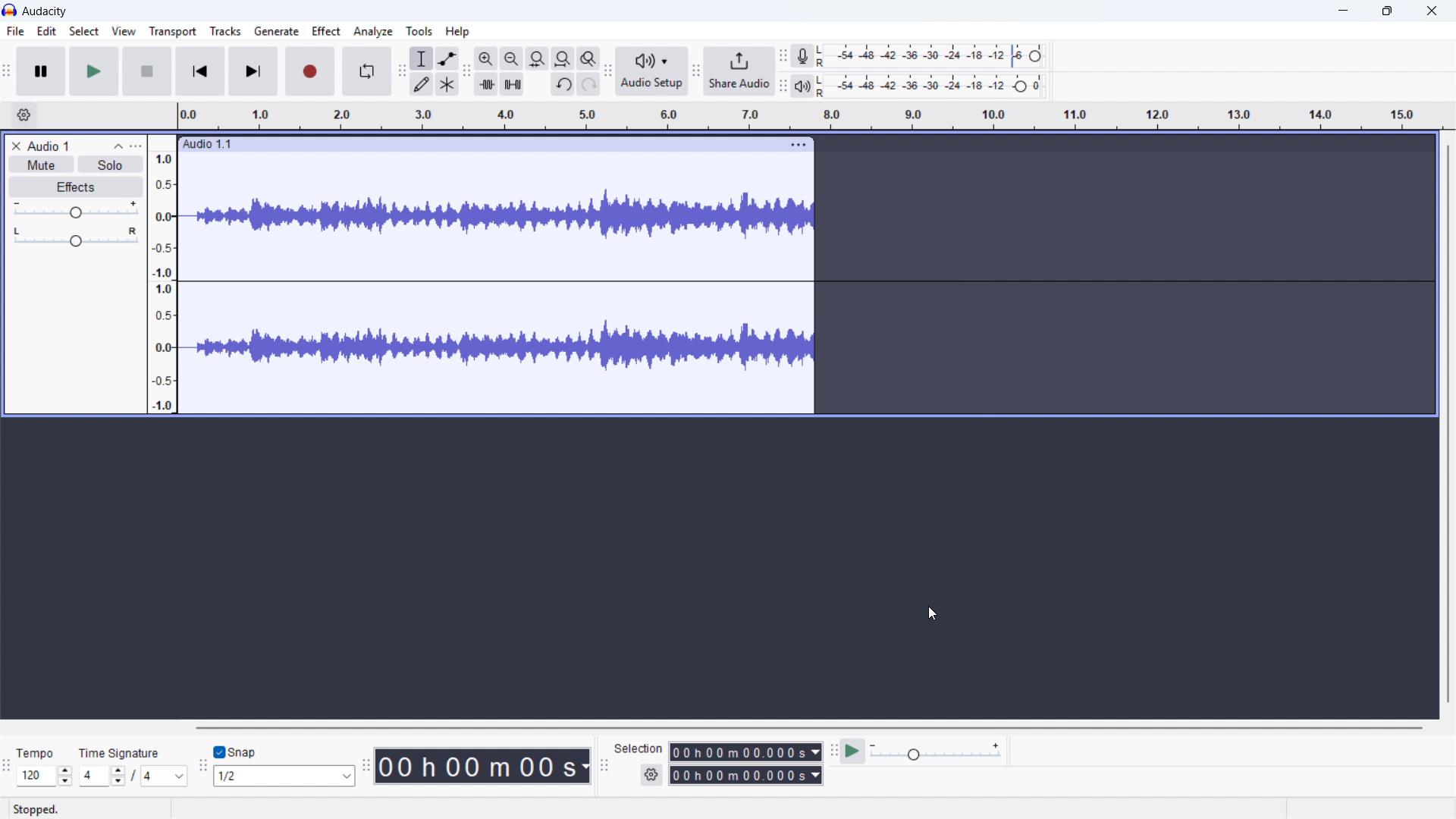 This screenshot has width=1456, height=819. I want to click on Audio setup toolbar , so click(607, 73).